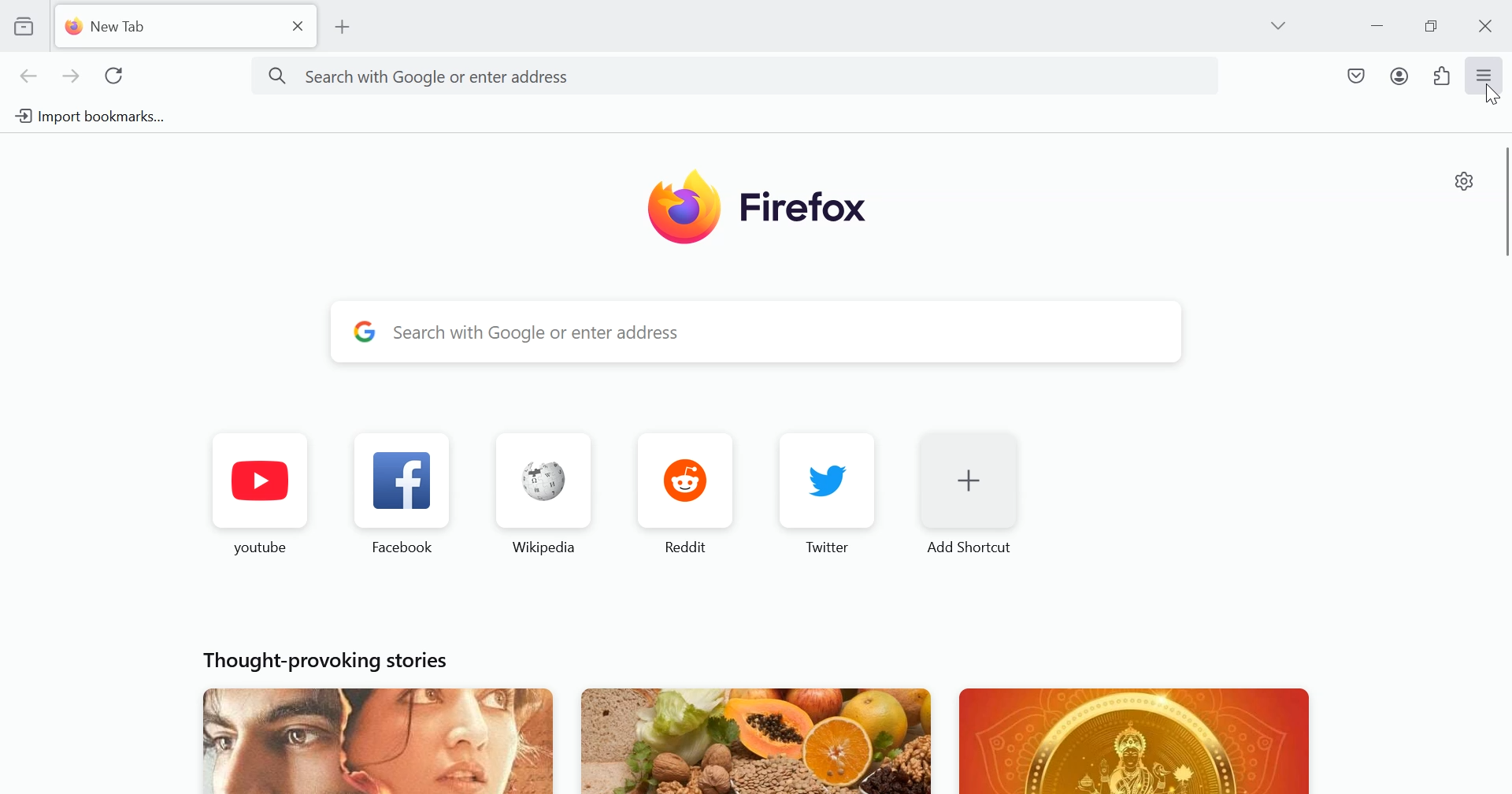 The image size is (1512, 794). I want to click on close, so click(297, 25).